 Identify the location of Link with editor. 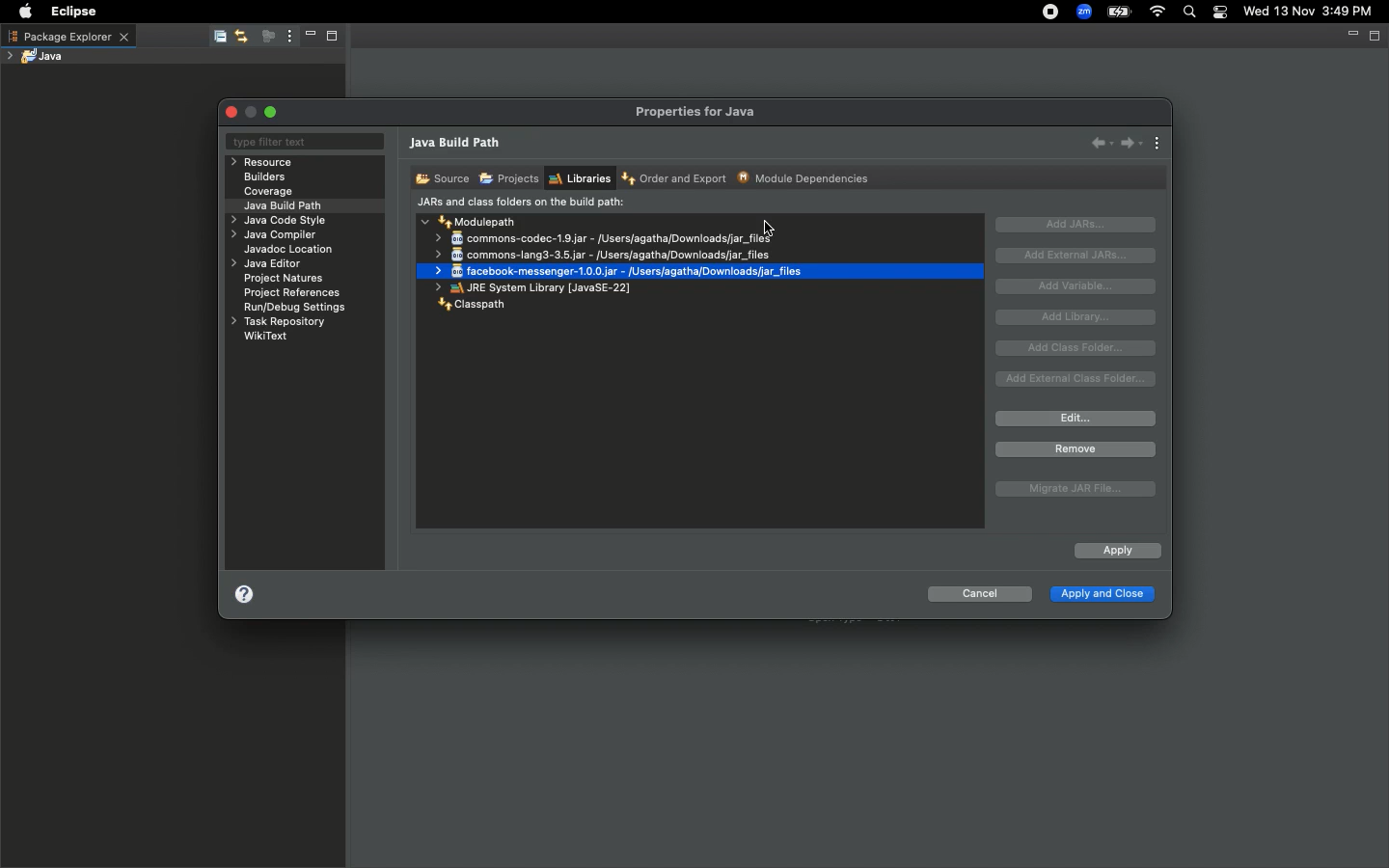
(242, 36).